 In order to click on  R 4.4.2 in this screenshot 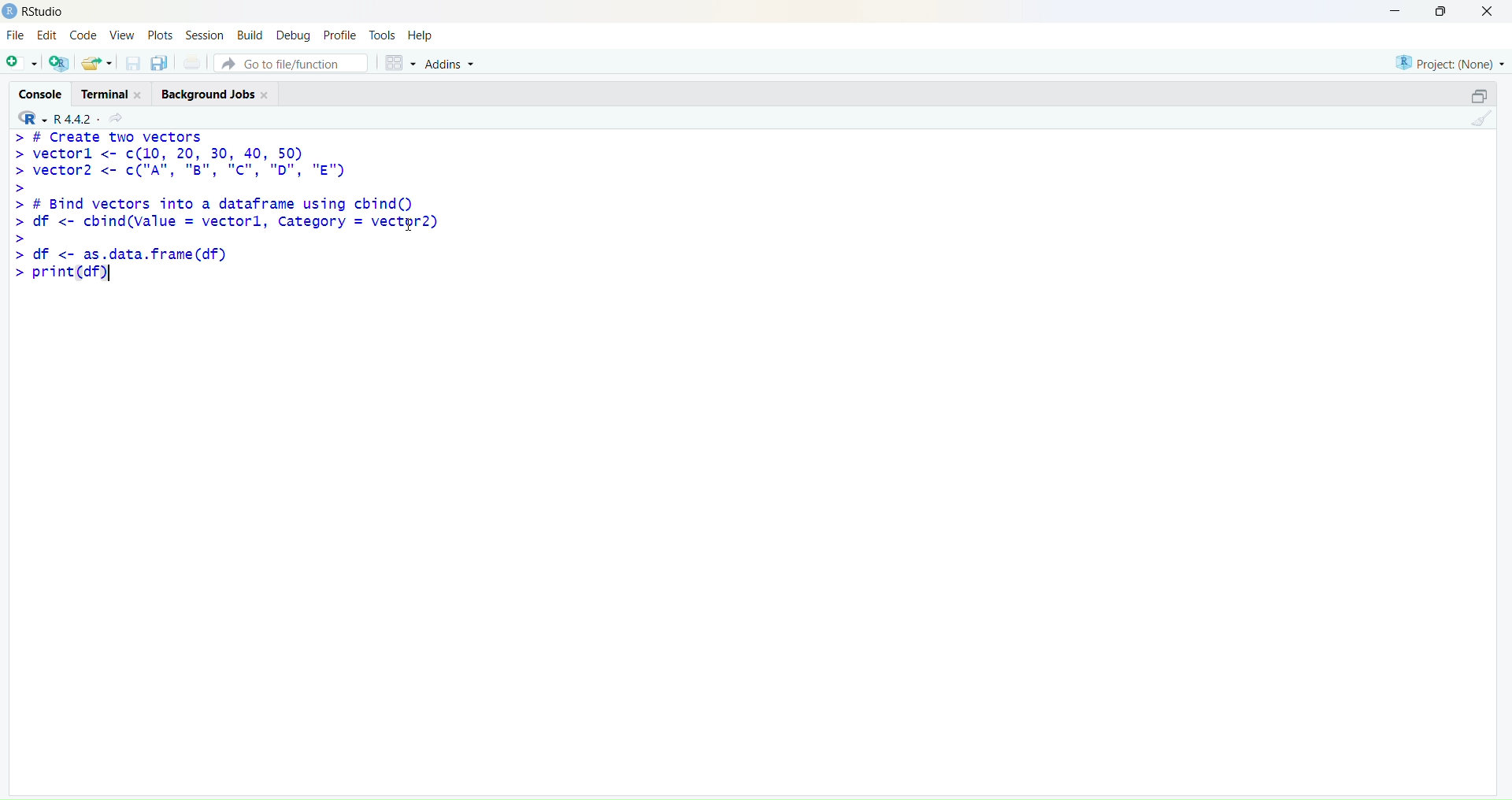, I will do `click(53, 119)`.